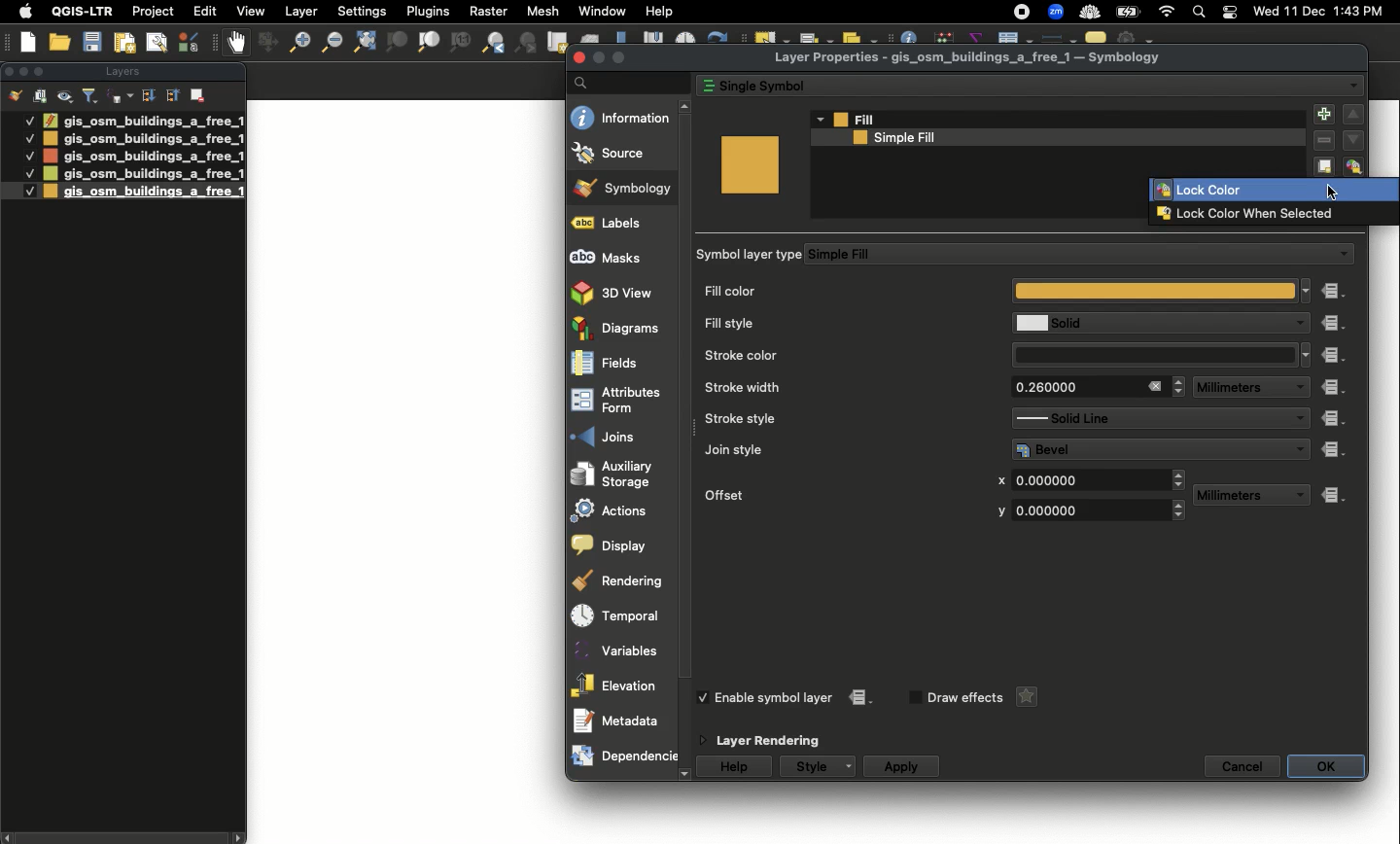 Image resolution: width=1400 pixels, height=844 pixels. Describe the element at coordinates (622, 474) in the screenshot. I see `Auxiliary storage` at that location.